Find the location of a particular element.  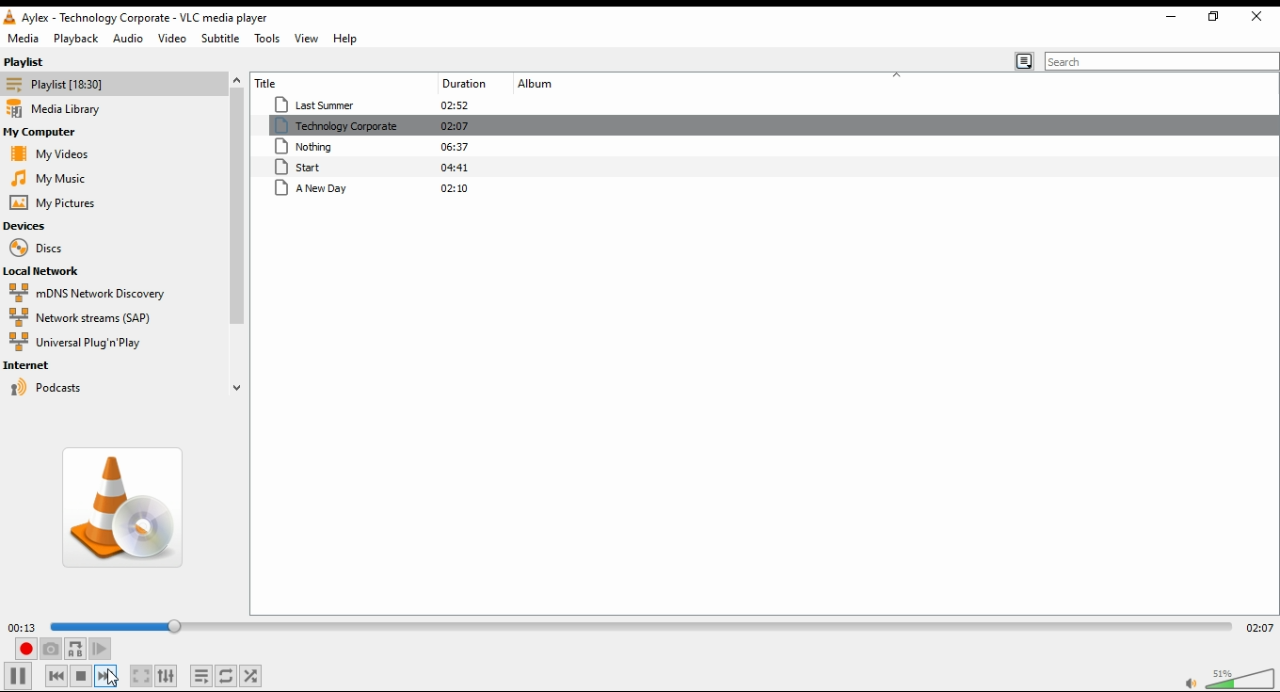

volume  is located at coordinates (1244, 679).